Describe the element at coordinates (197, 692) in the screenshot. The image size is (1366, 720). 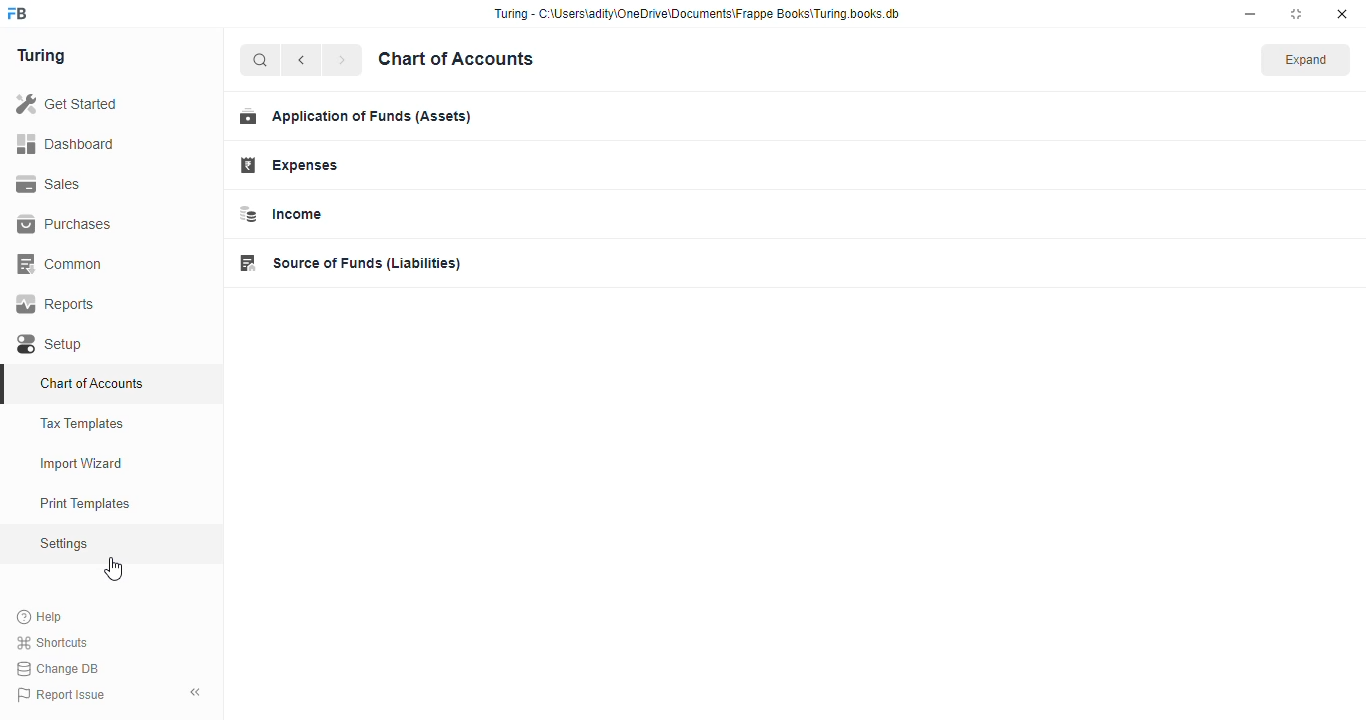
I see `collapse` at that location.